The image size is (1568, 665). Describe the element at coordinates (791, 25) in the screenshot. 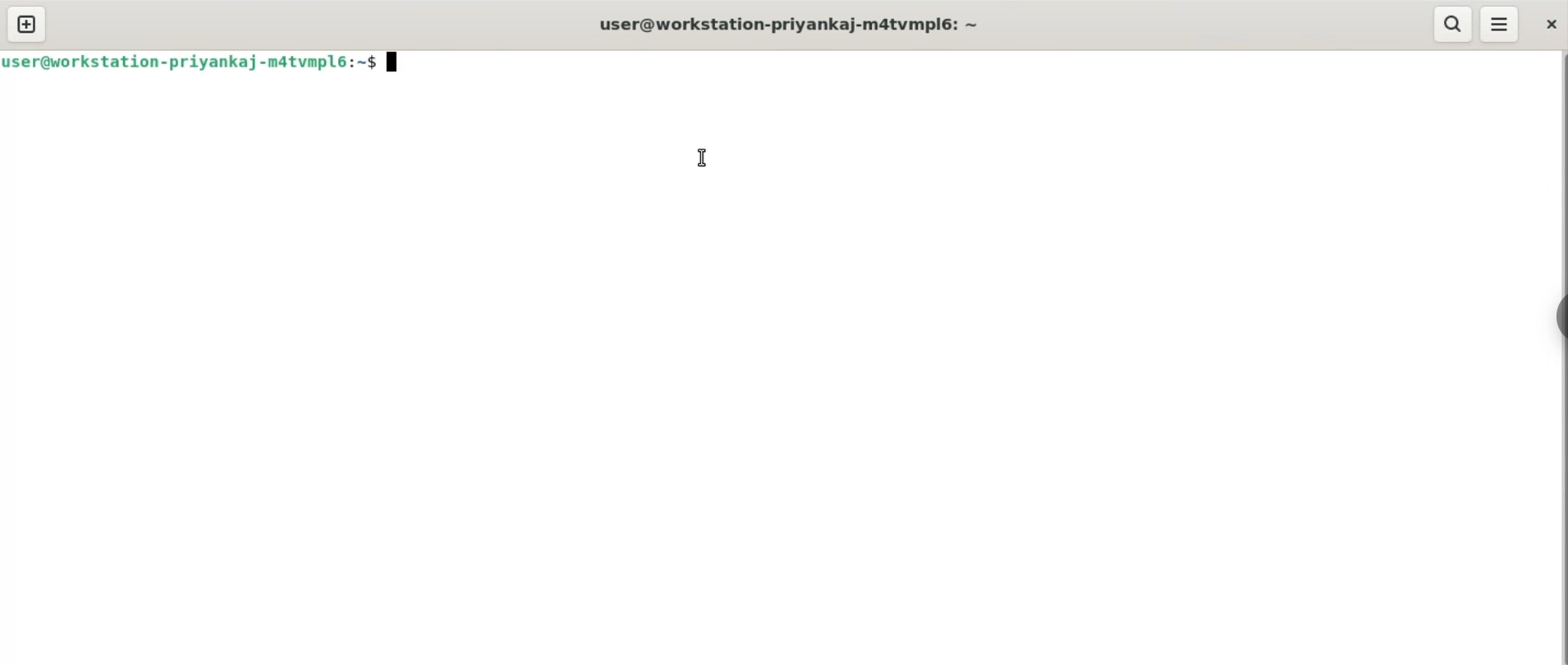

I see `user@workstation-priyankaj-m4tvmpl6:~` at that location.